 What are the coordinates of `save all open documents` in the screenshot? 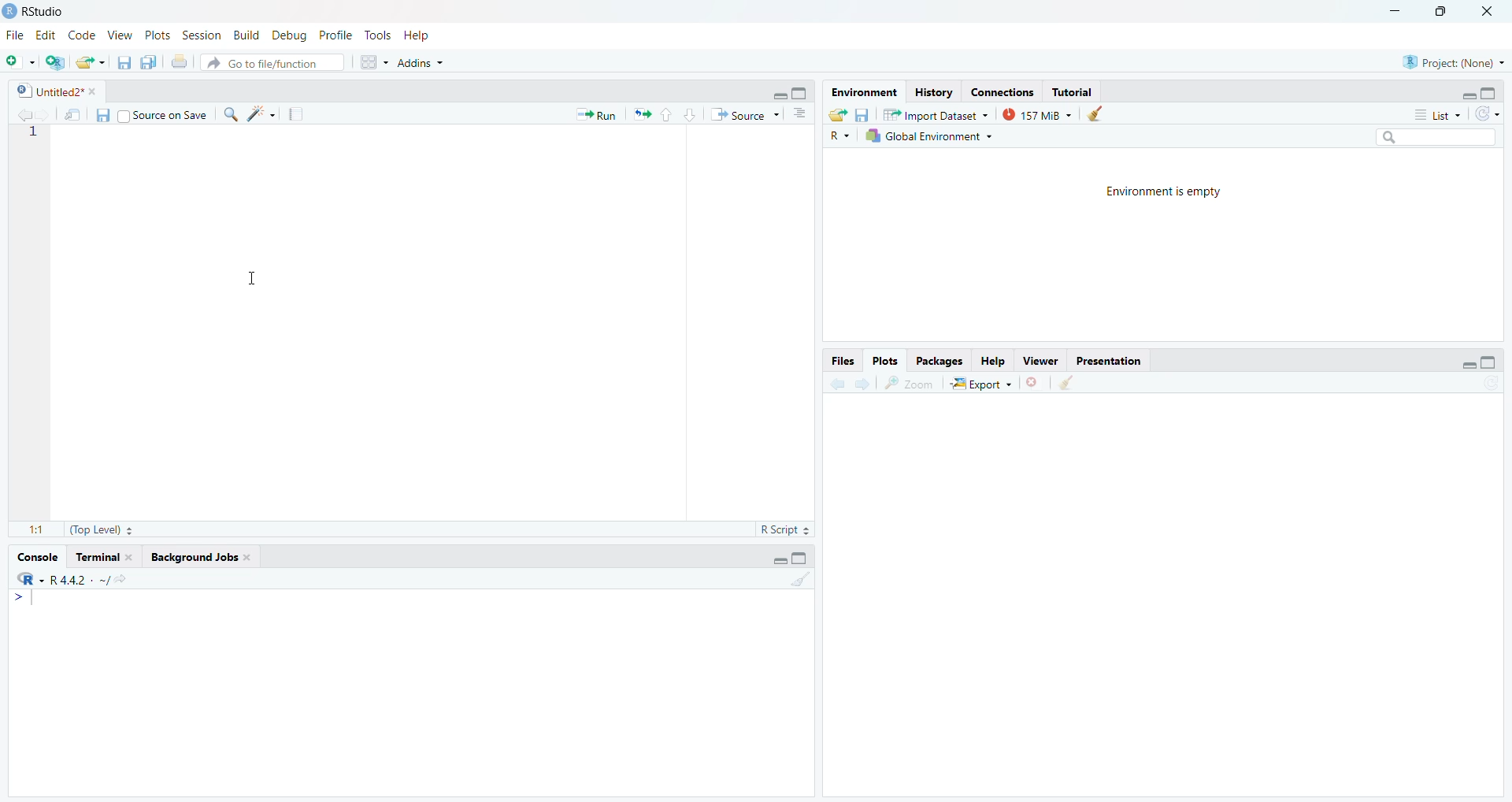 It's located at (146, 62).